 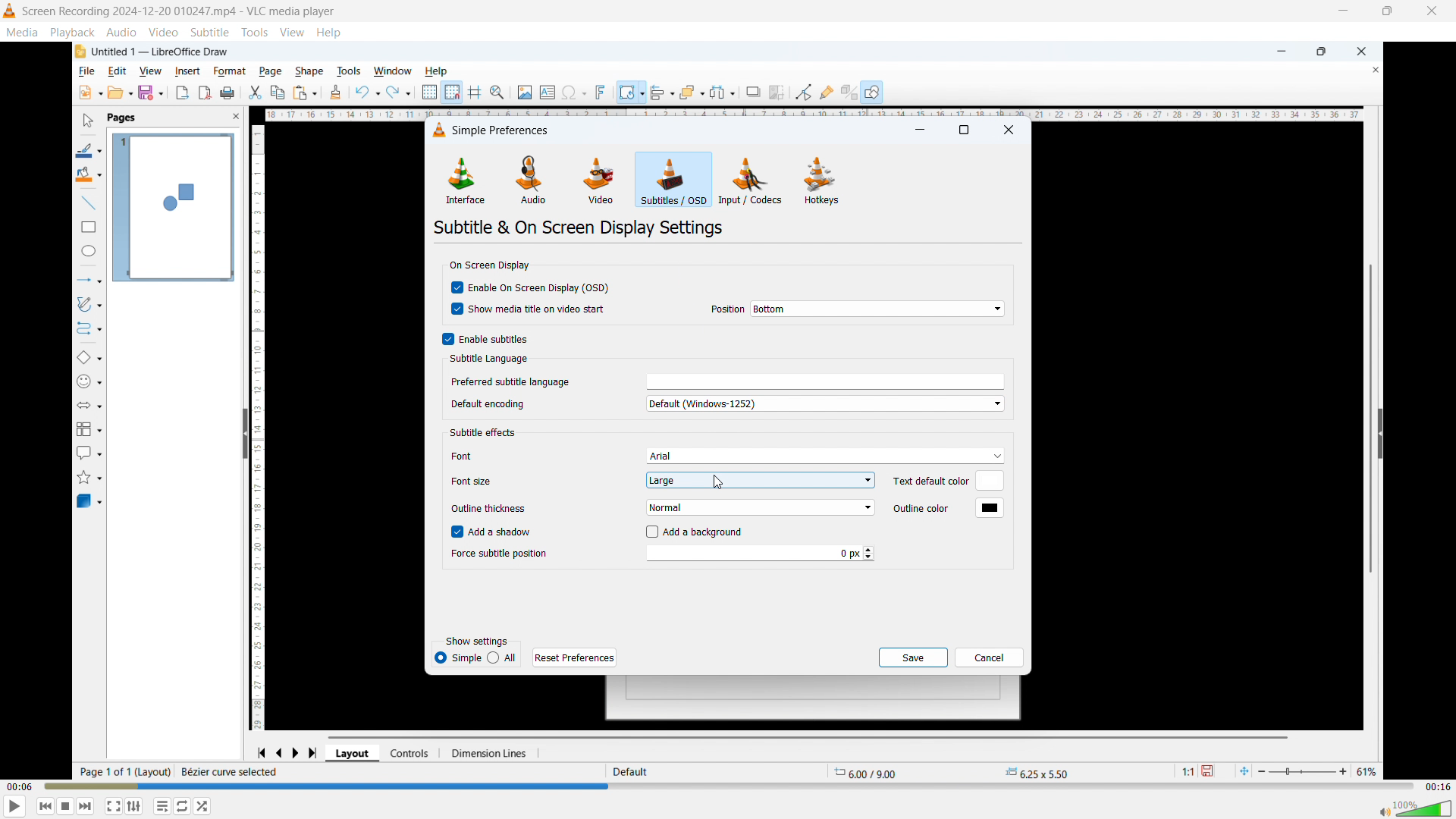 I want to click on Input or codecs , so click(x=751, y=181).